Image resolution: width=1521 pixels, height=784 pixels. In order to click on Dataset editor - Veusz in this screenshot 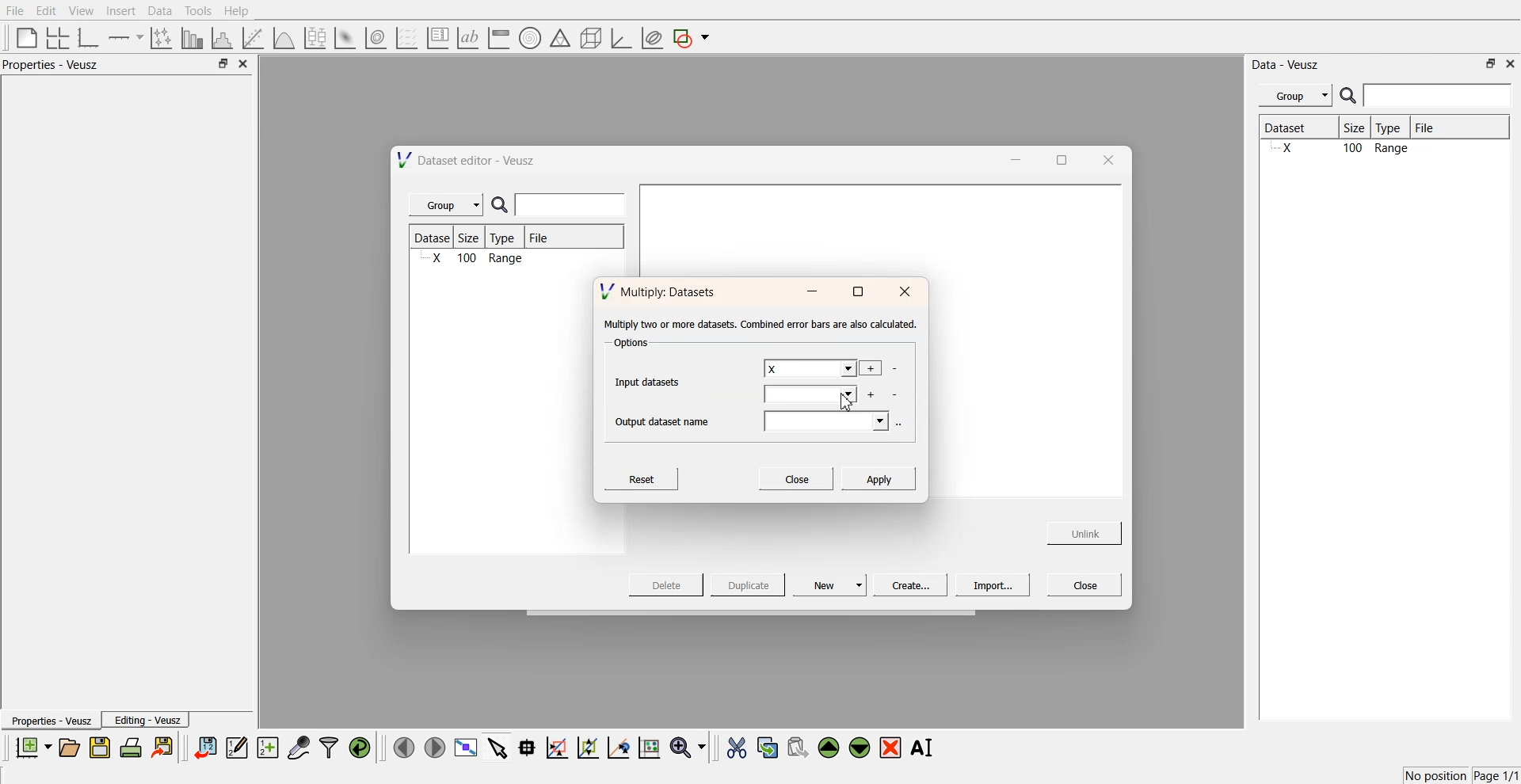, I will do `click(468, 160)`.